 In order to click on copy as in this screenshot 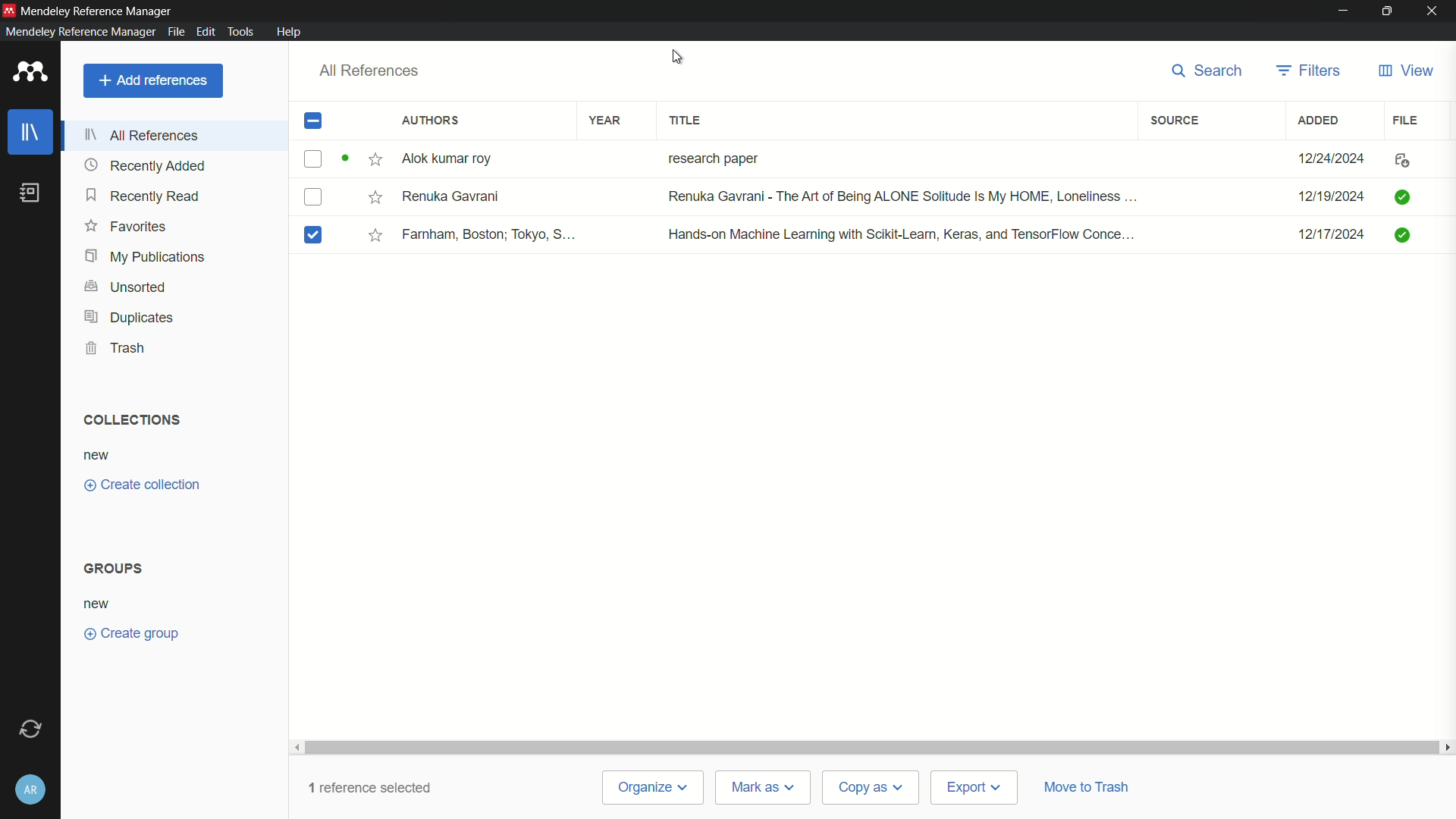, I will do `click(871, 789)`.